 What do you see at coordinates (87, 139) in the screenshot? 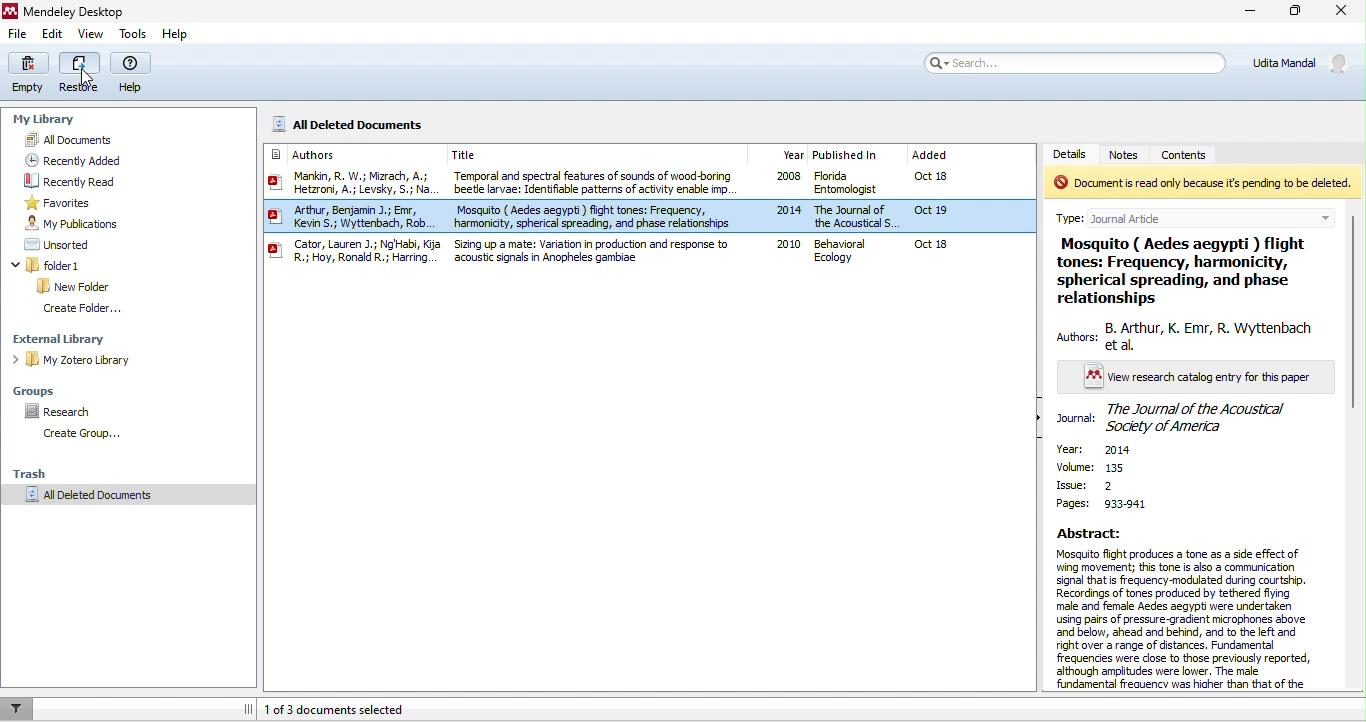
I see `all documents` at bounding box center [87, 139].